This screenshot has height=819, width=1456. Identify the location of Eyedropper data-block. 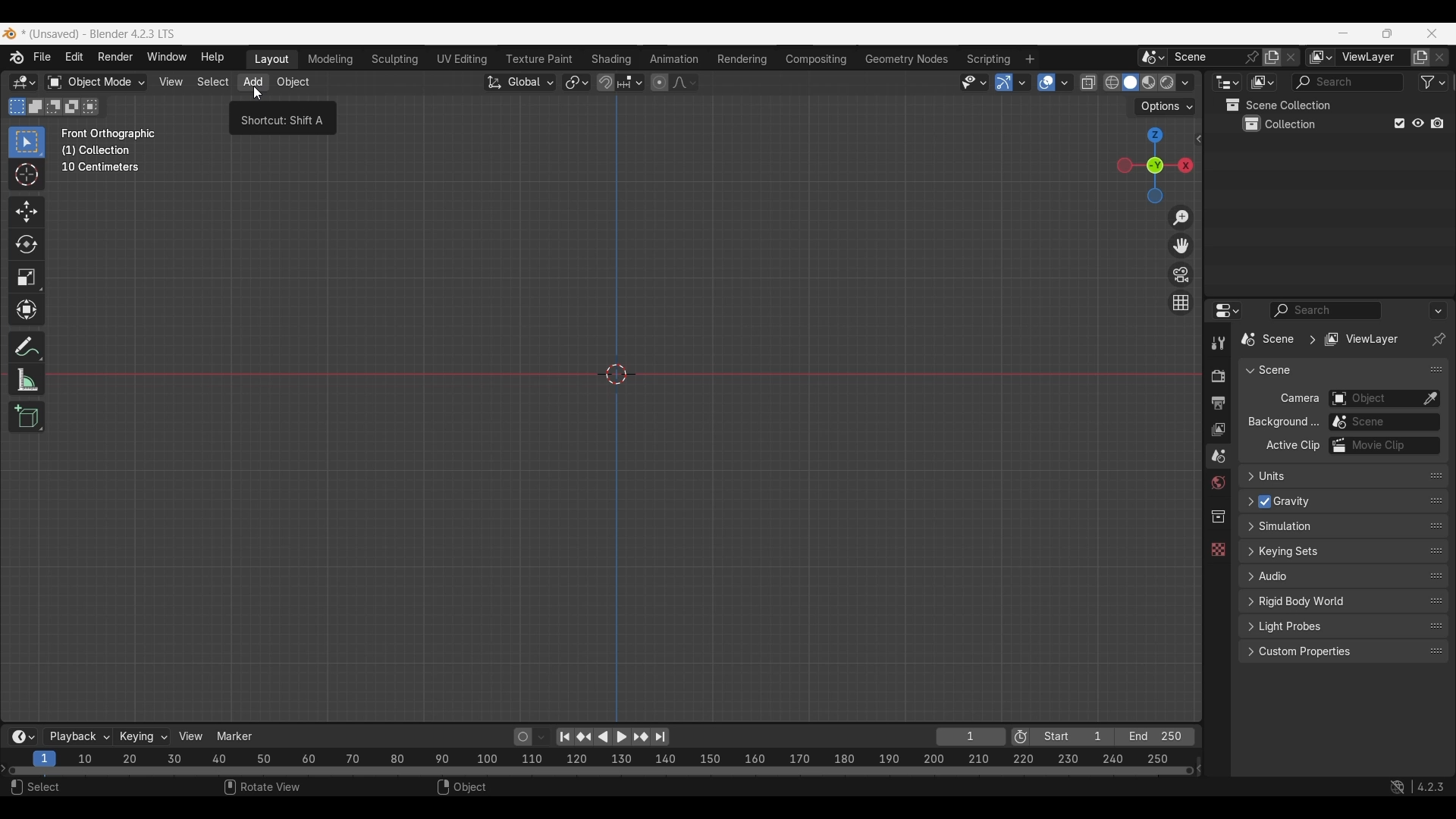
(1429, 399).